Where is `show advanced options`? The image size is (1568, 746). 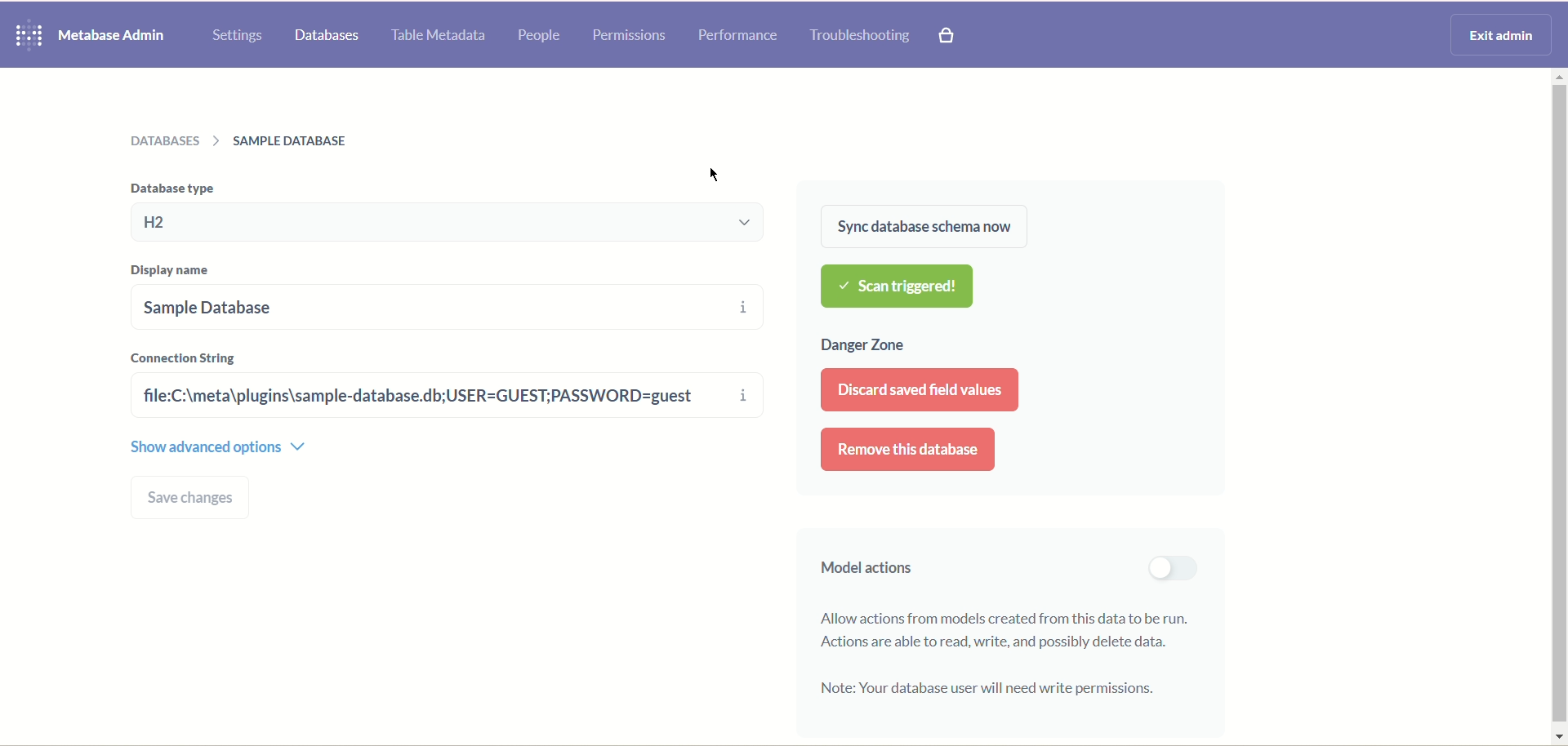
show advanced options is located at coordinates (219, 445).